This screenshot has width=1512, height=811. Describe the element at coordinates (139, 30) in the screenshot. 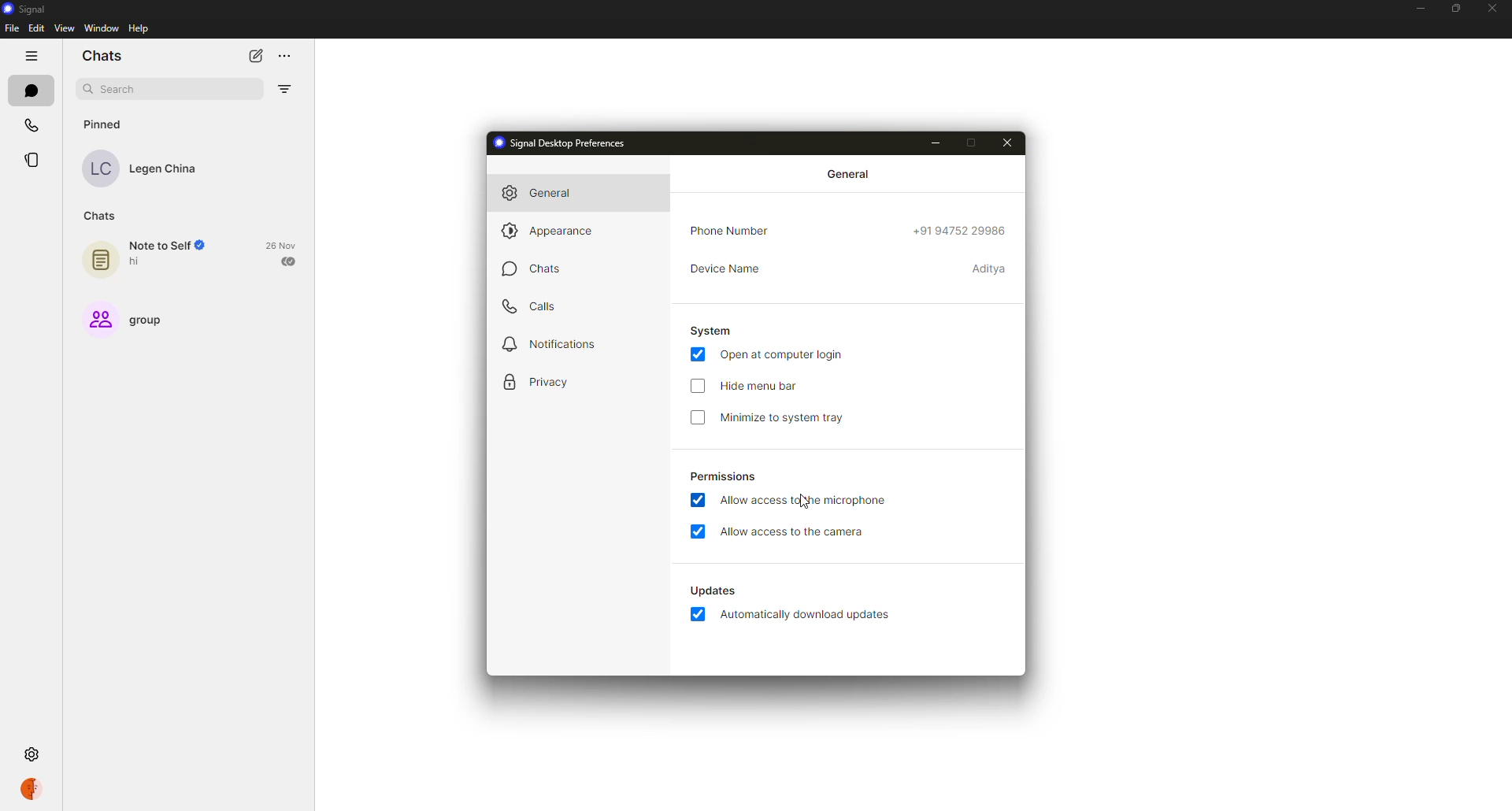

I see `help` at that location.